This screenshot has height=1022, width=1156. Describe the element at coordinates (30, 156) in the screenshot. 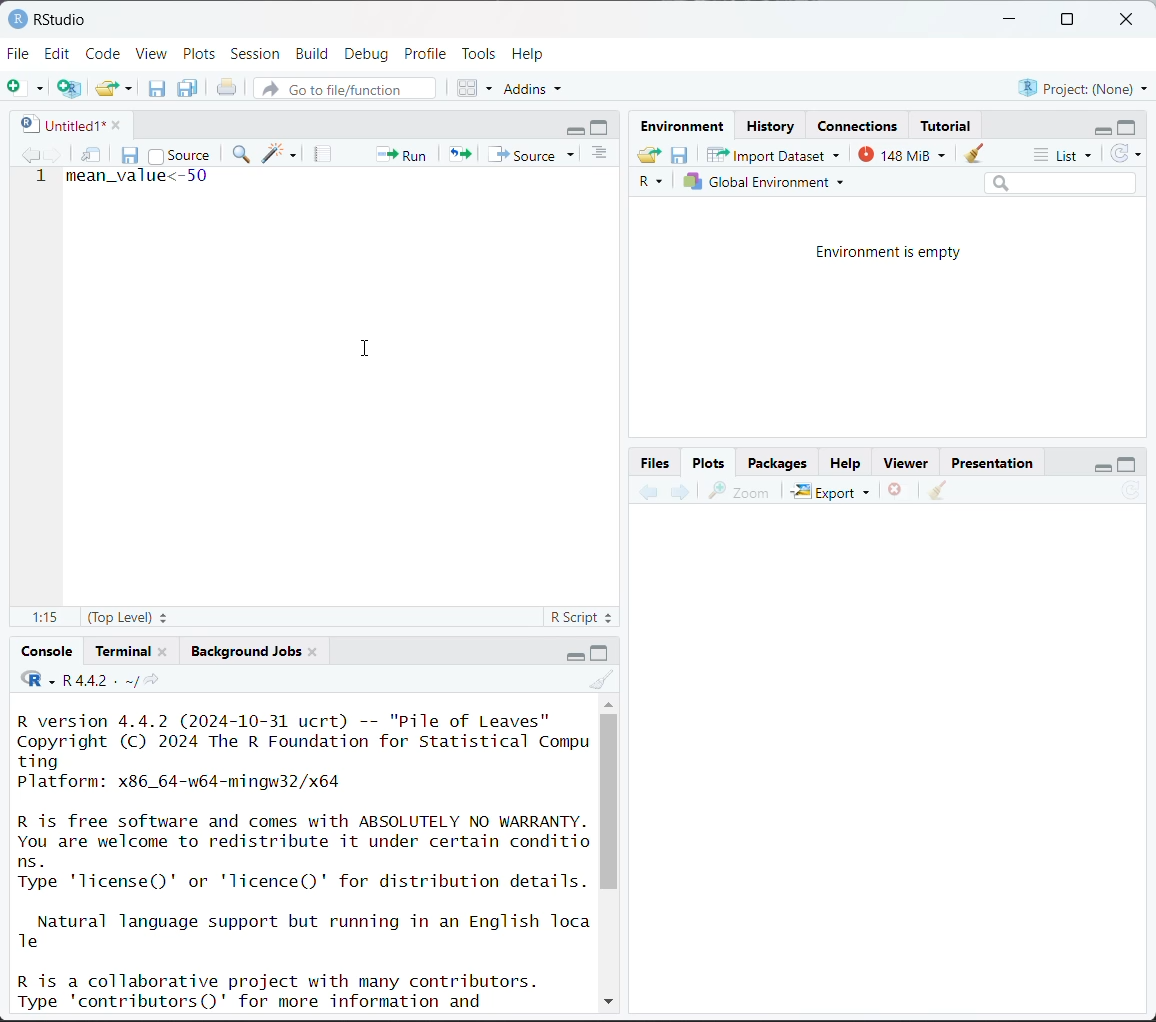

I see `go backward to previous source location` at that location.